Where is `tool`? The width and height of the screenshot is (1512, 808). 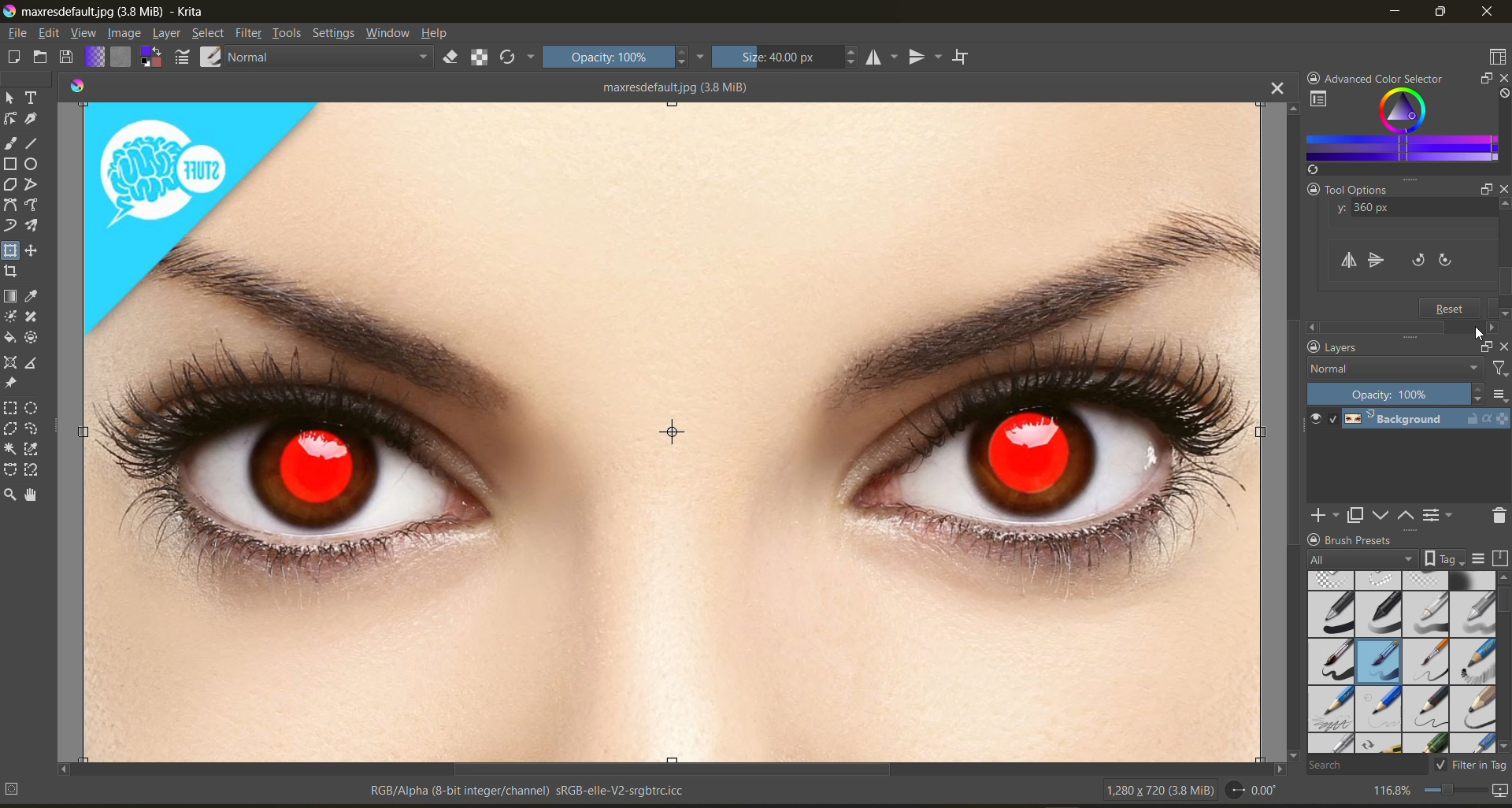 tool is located at coordinates (33, 143).